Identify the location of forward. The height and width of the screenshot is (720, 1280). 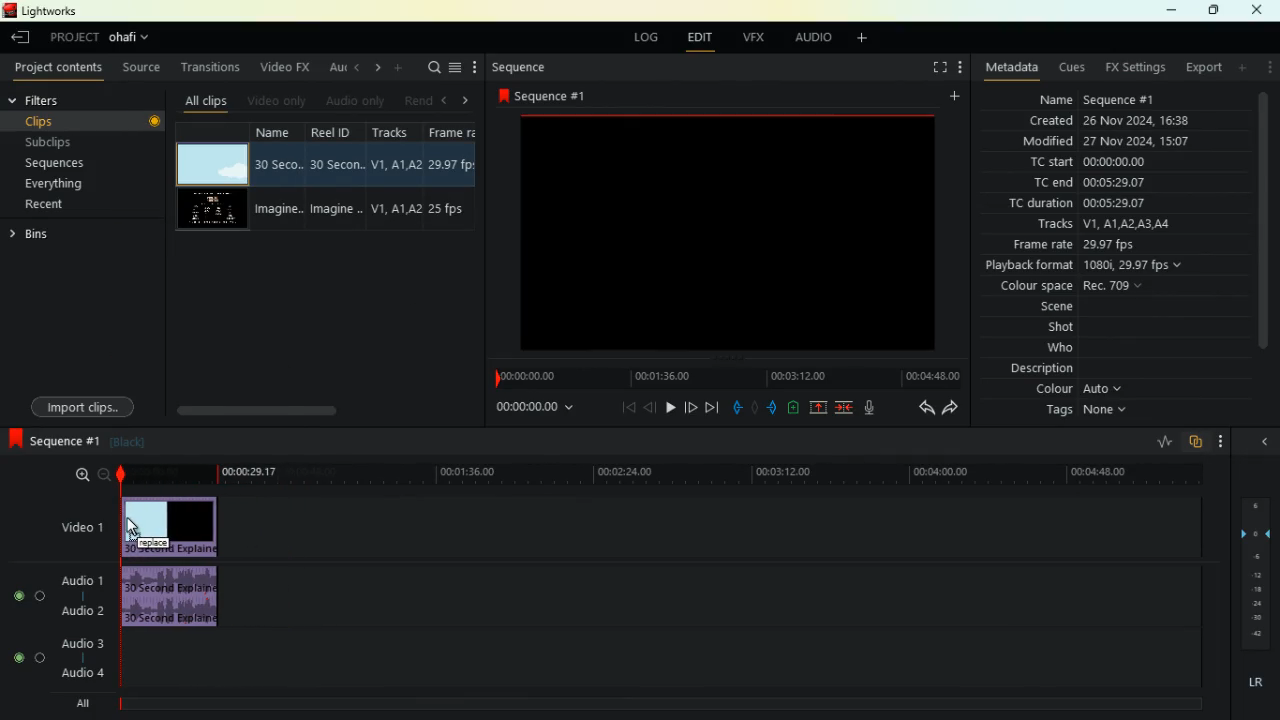
(954, 411).